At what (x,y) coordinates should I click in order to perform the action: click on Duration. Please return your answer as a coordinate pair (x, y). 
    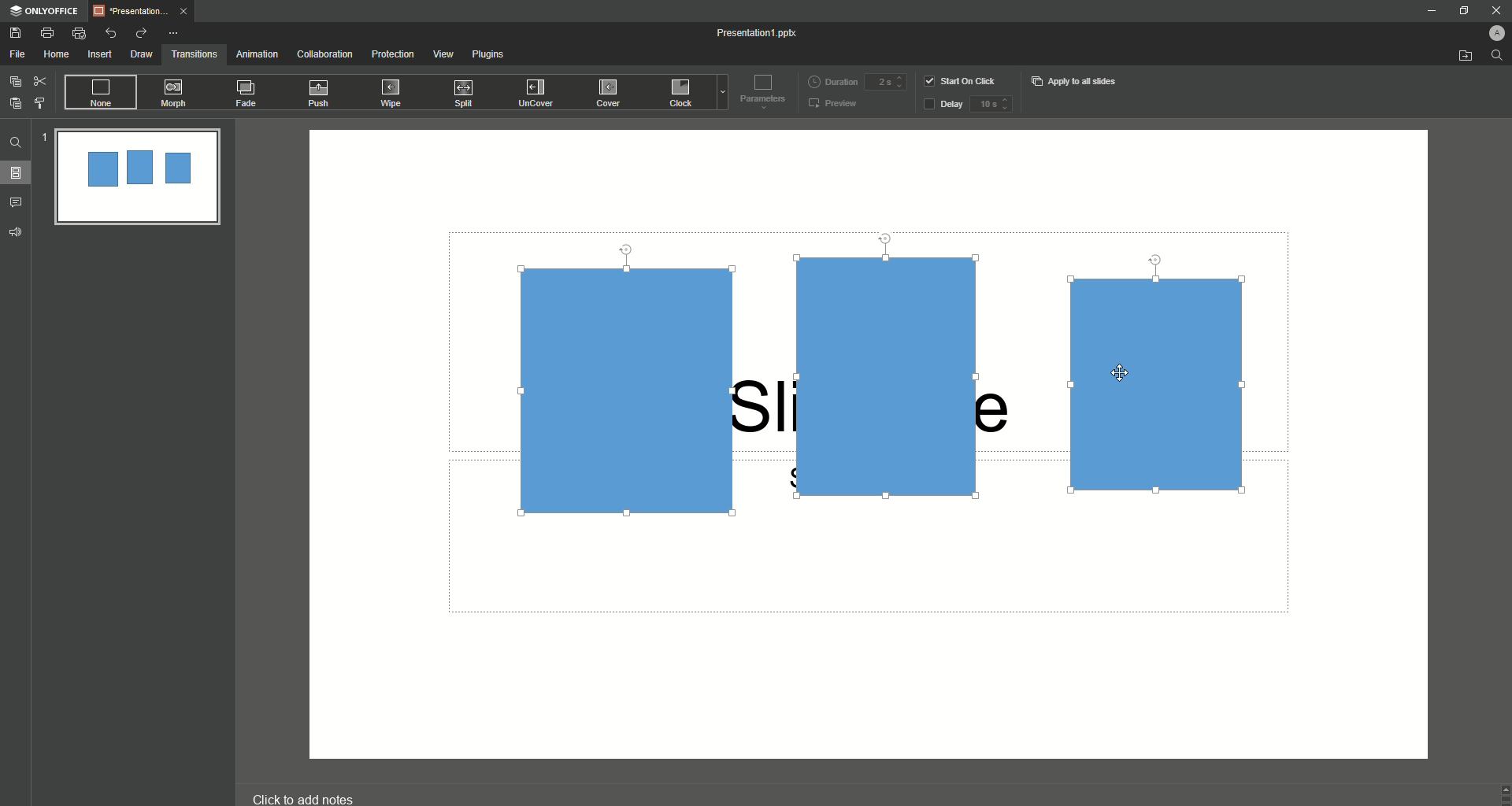
    Looking at the image, I should click on (832, 80).